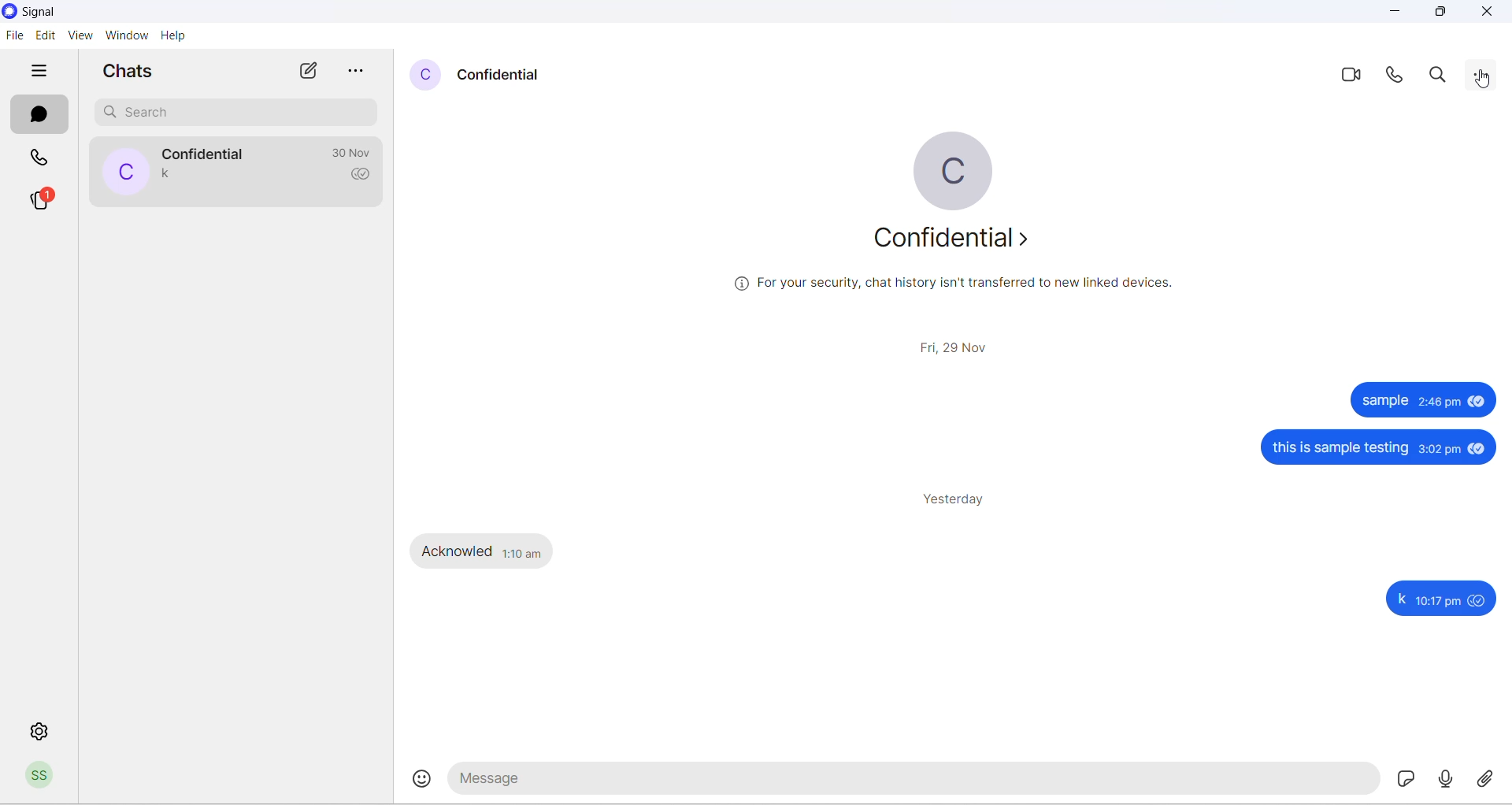 The width and height of the screenshot is (1512, 805). What do you see at coordinates (1439, 401) in the screenshot?
I see `2:46 pm` at bounding box center [1439, 401].